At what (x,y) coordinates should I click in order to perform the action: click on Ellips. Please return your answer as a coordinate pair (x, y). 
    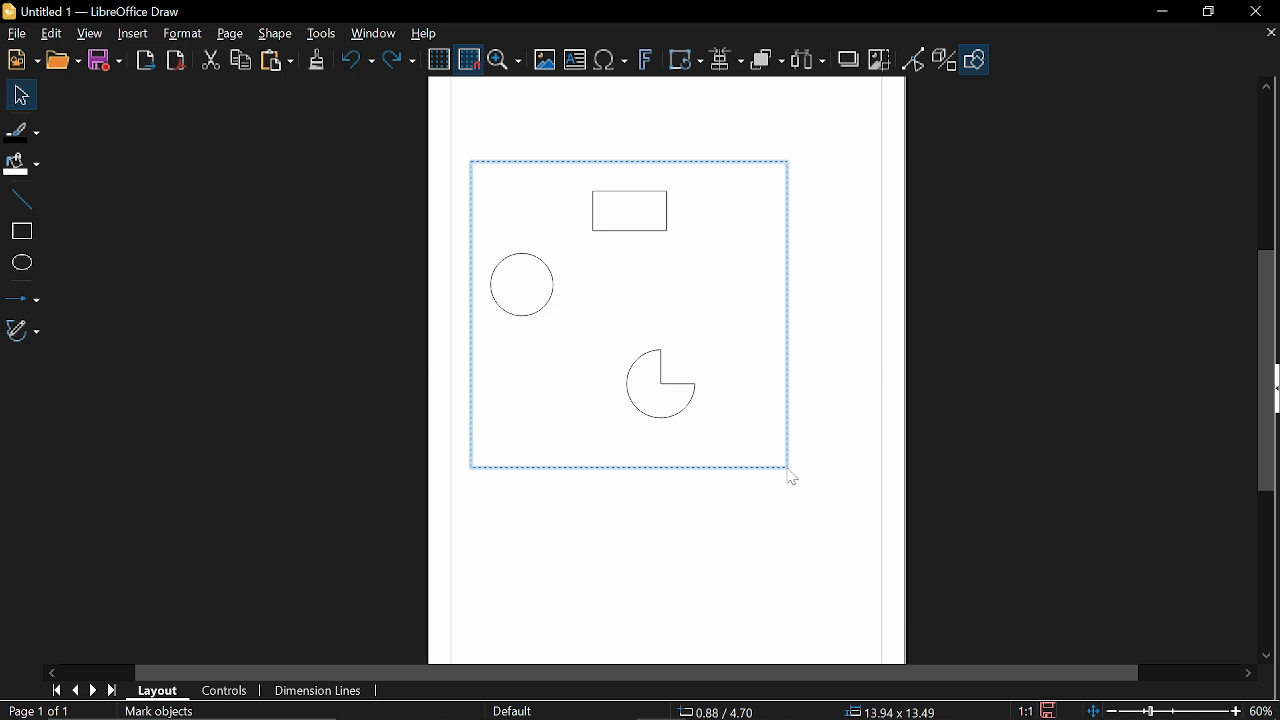
    Looking at the image, I should click on (20, 262).